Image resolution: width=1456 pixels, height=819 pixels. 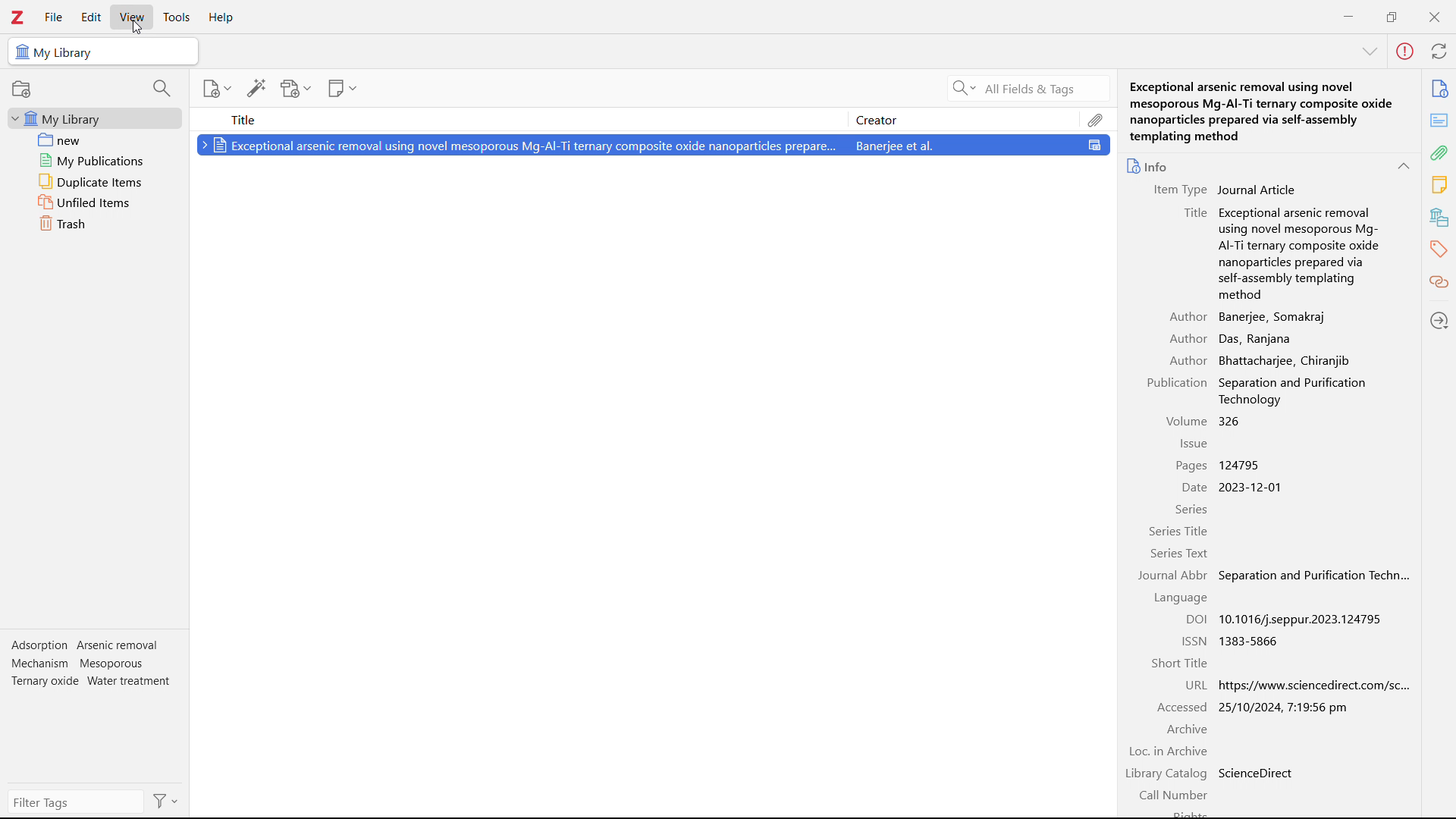 I want to click on 124795, so click(x=1241, y=464).